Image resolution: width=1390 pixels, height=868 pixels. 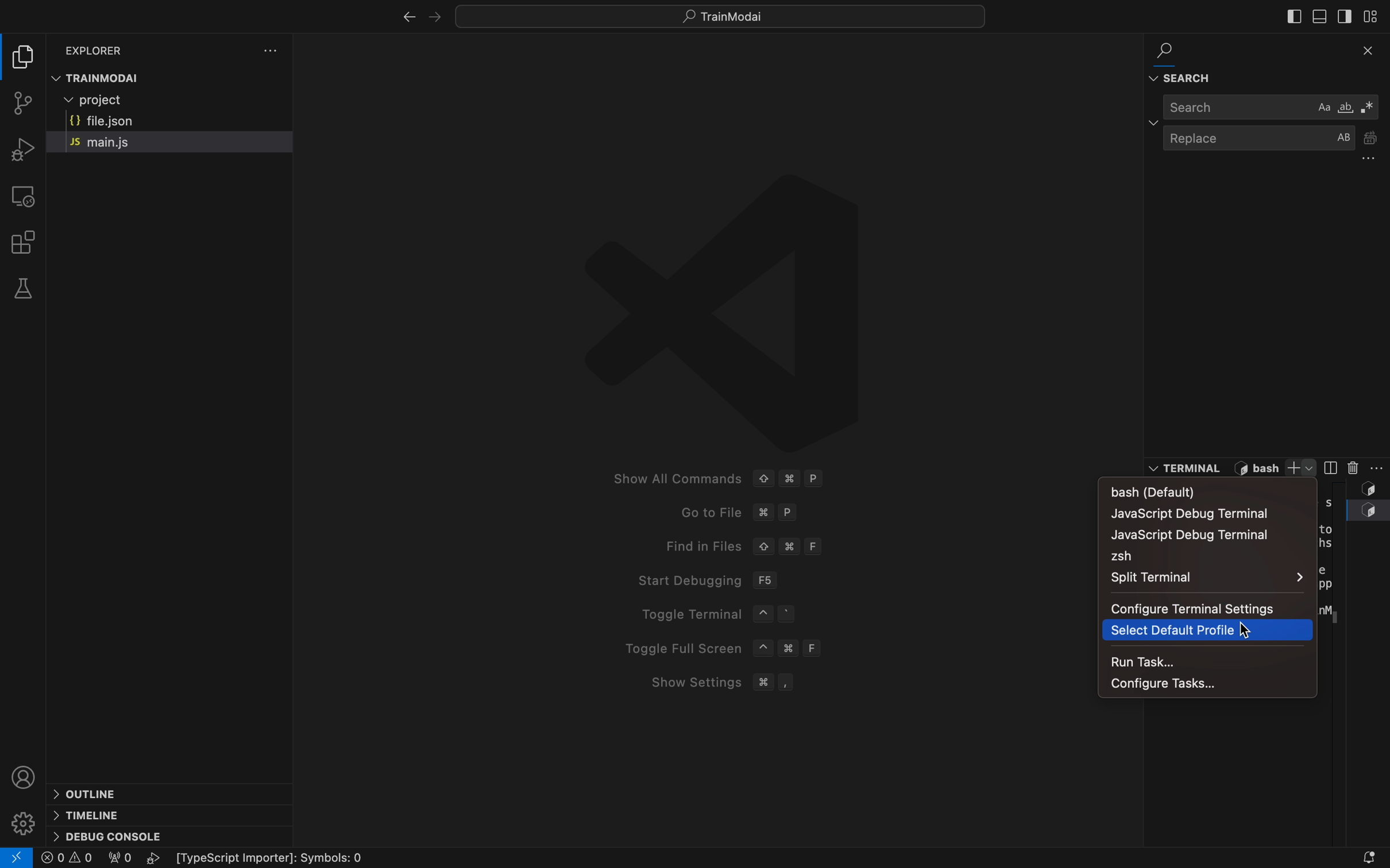 I want to click on Toggle full Screen, so click(x=737, y=648).